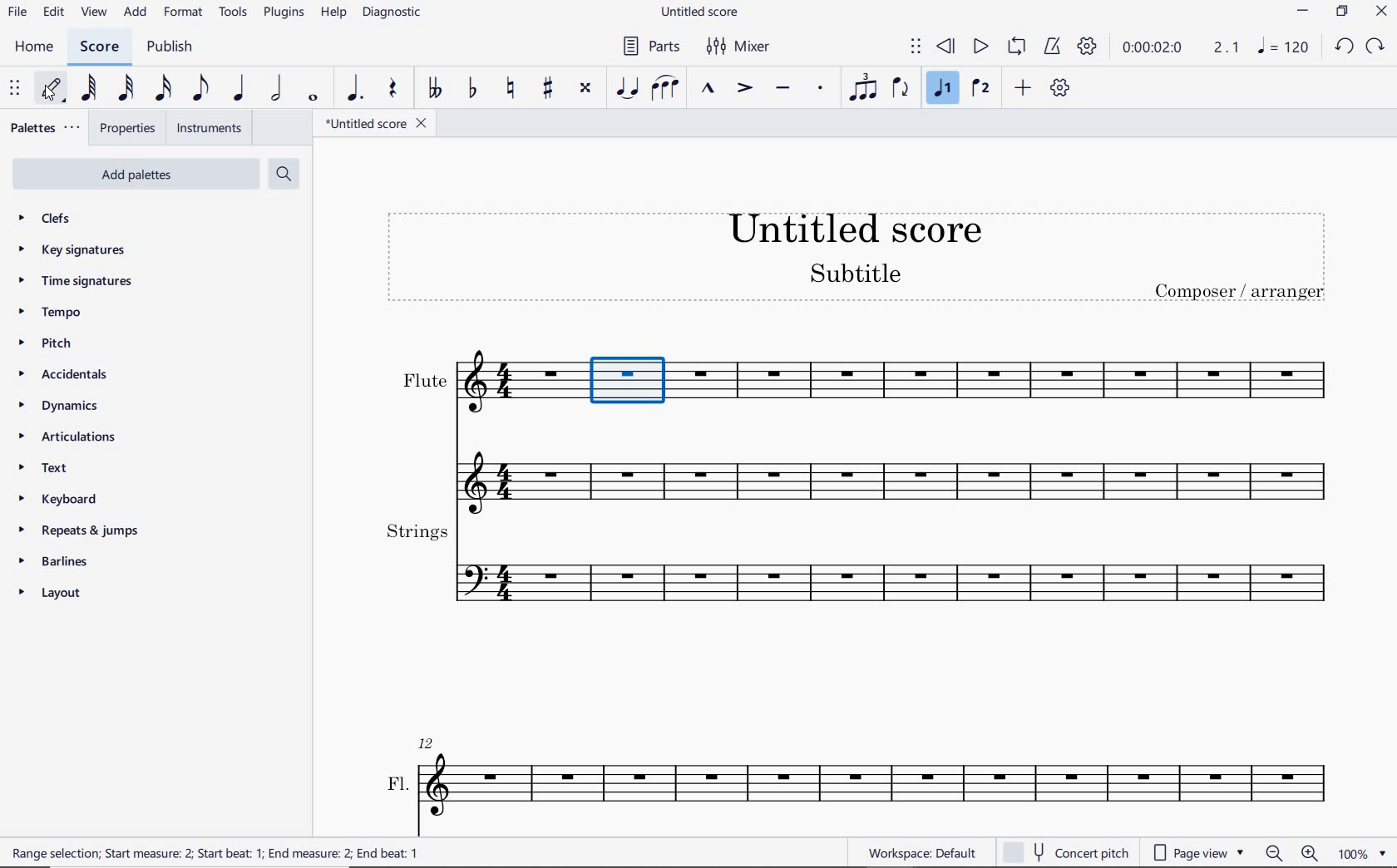 The width and height of the screenshot is (1397, 868). What do you see at coordinates (980, 89) in the screenshot?
I see `VOICE 2` at bounding box center [980, 89].